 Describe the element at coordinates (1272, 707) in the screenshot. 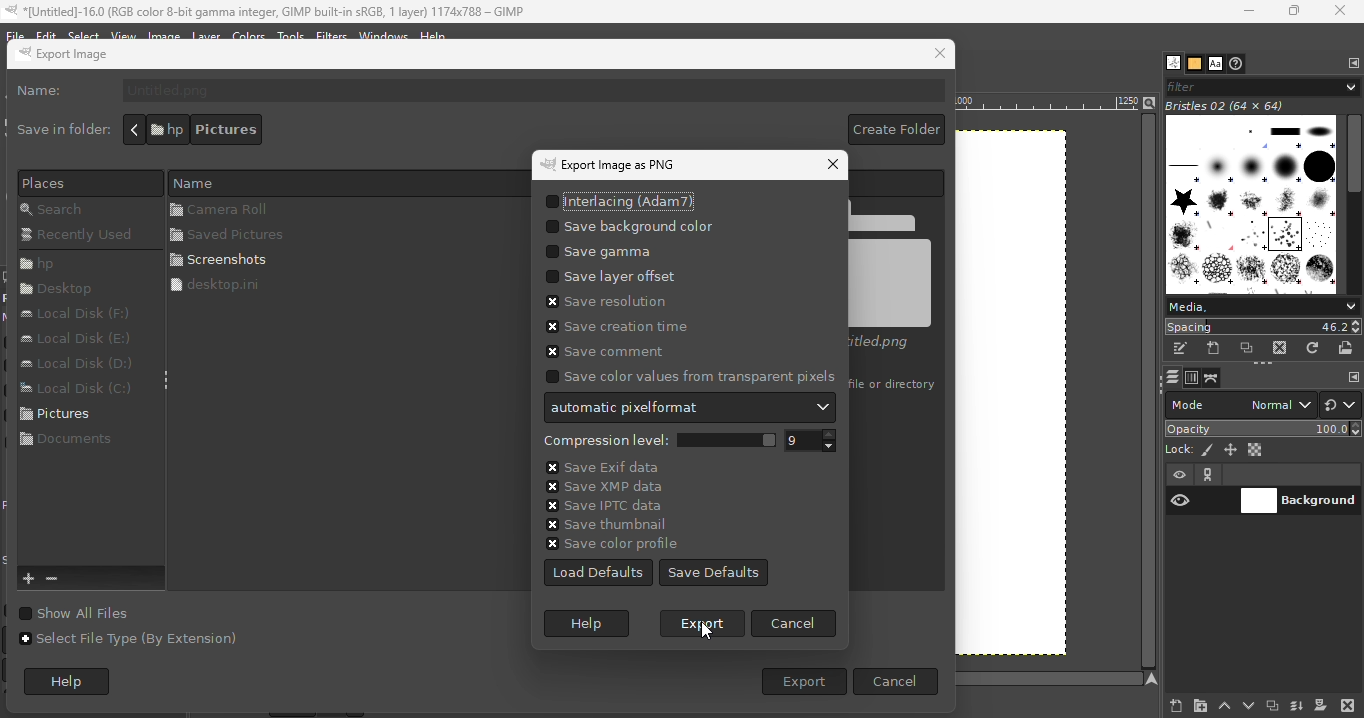

I see `Create the duplicate of the layer` at that location.